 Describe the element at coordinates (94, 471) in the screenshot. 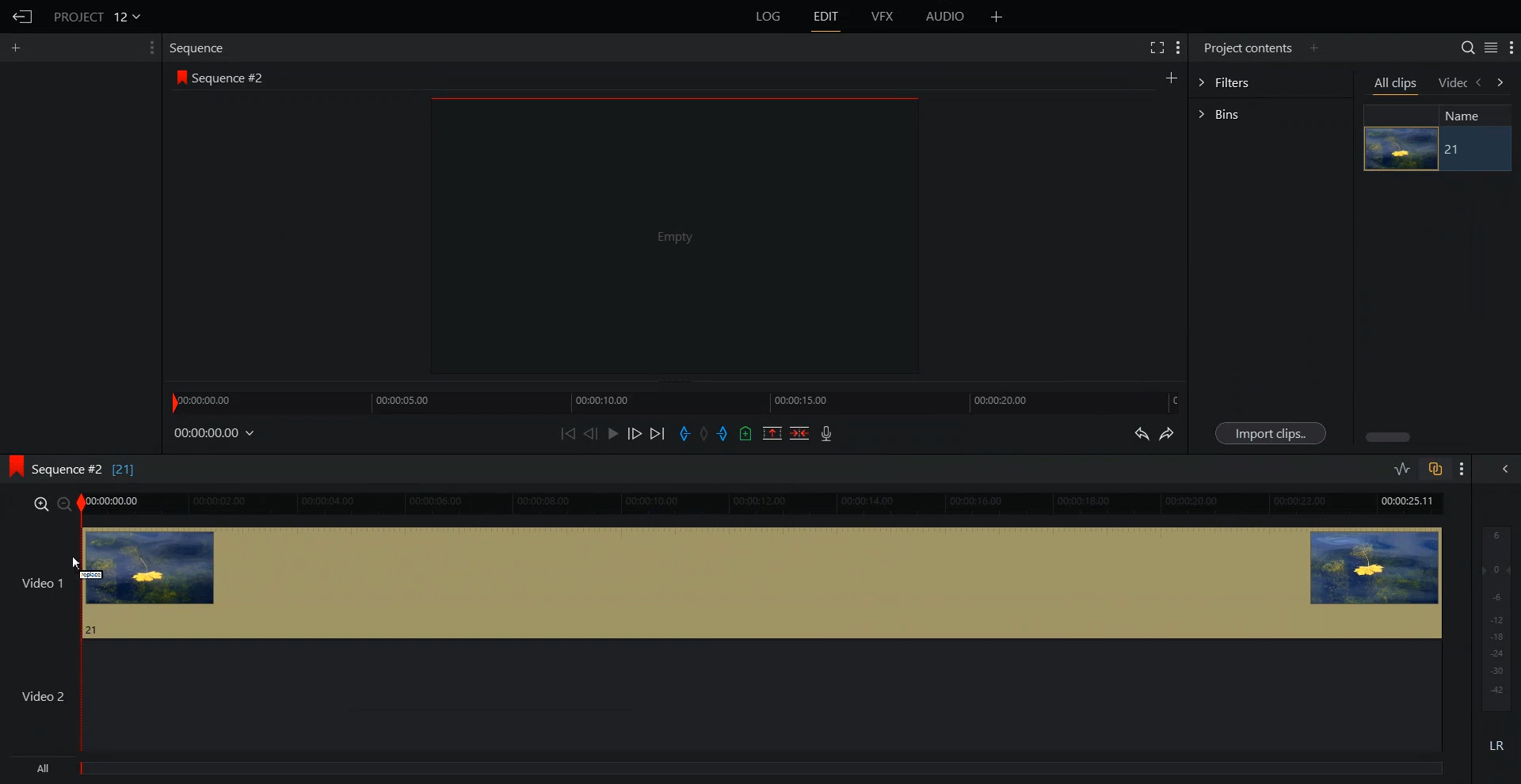

I see `Sequence 2 [21]` at that location.